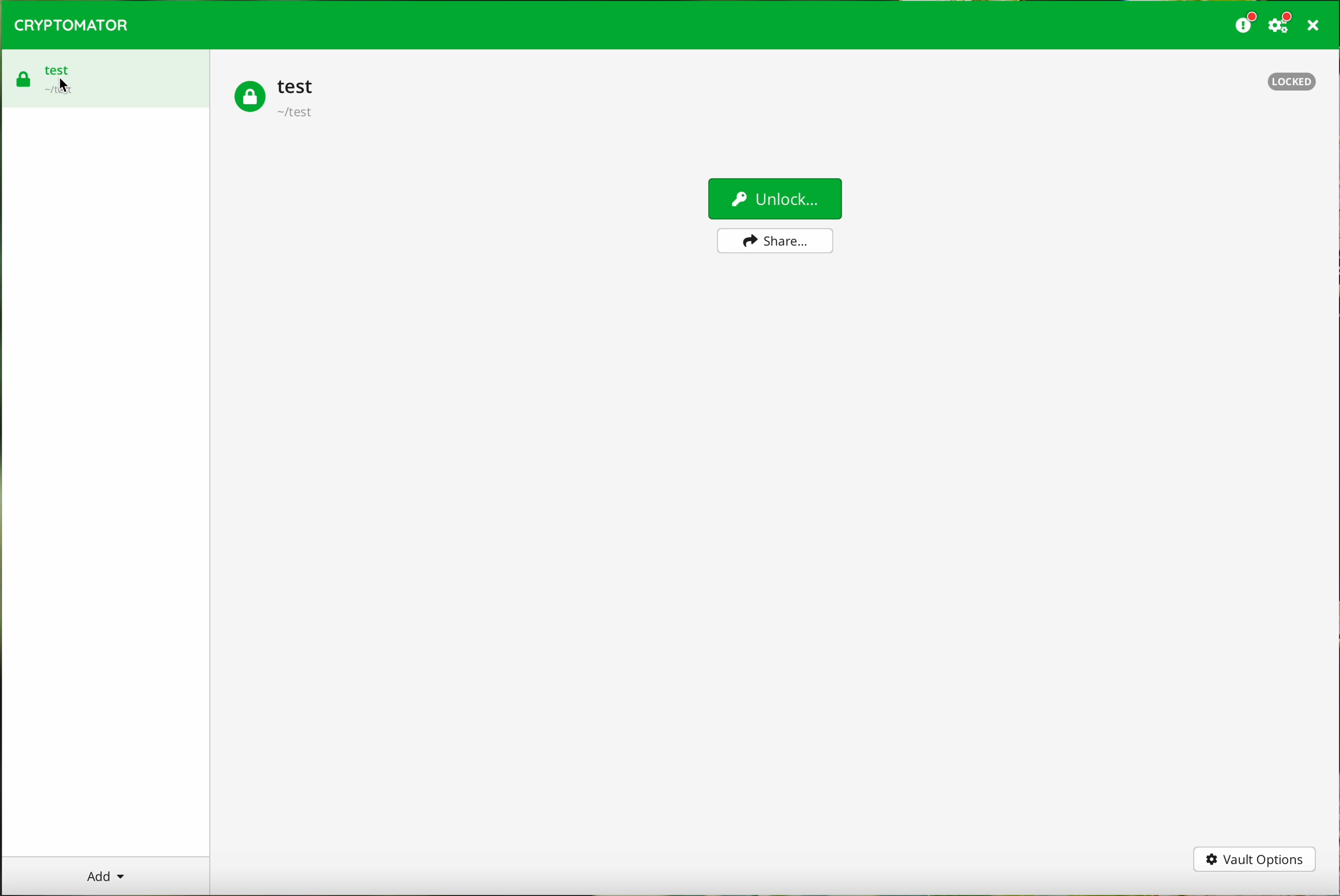 The image size is (1340, 896). What do you see at coordinates (1254, 860) in the screenshot?
I see `vault options` at bounding box center [1254, 860].